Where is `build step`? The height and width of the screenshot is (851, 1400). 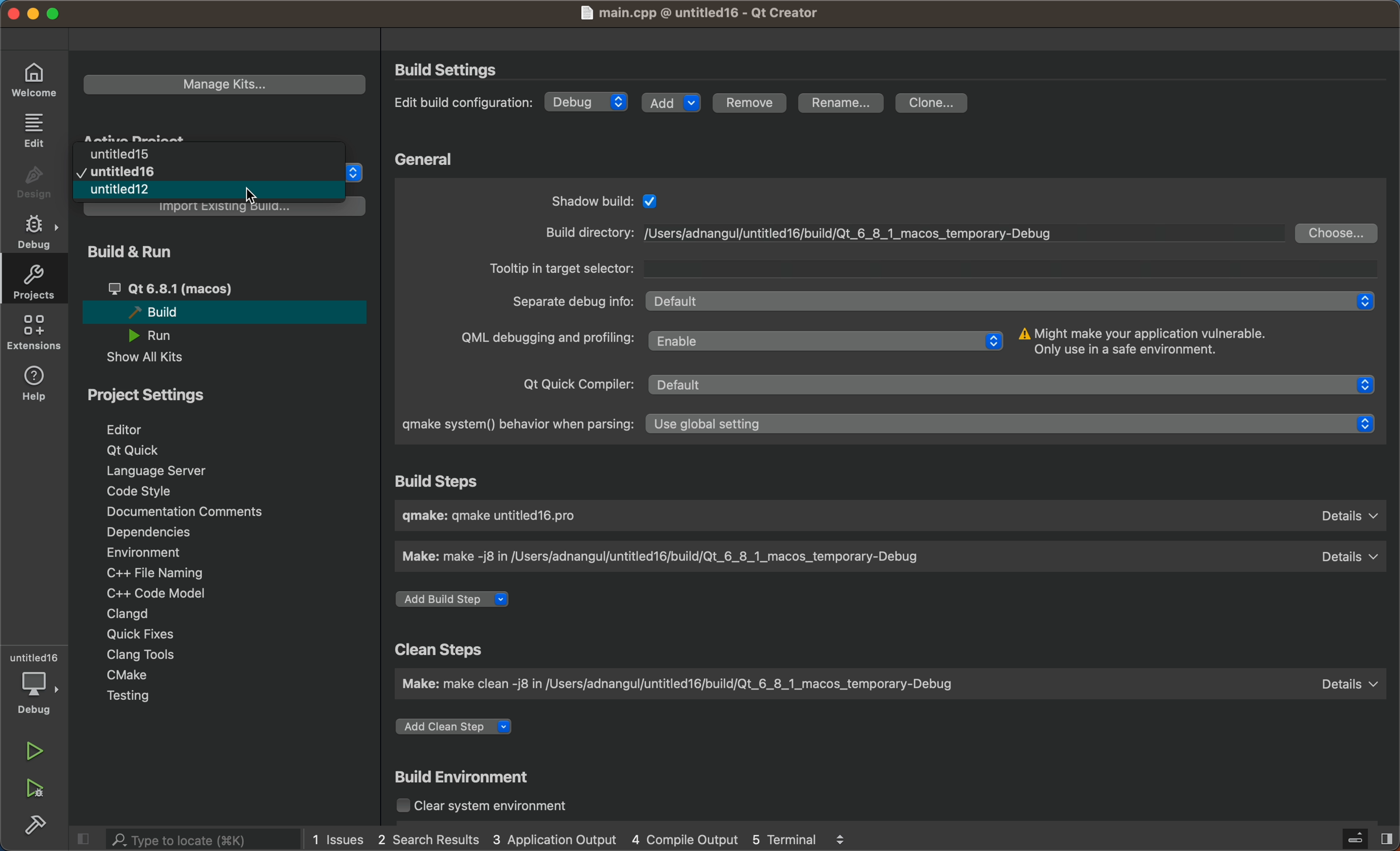
build step is located at coordinates (892, 516).